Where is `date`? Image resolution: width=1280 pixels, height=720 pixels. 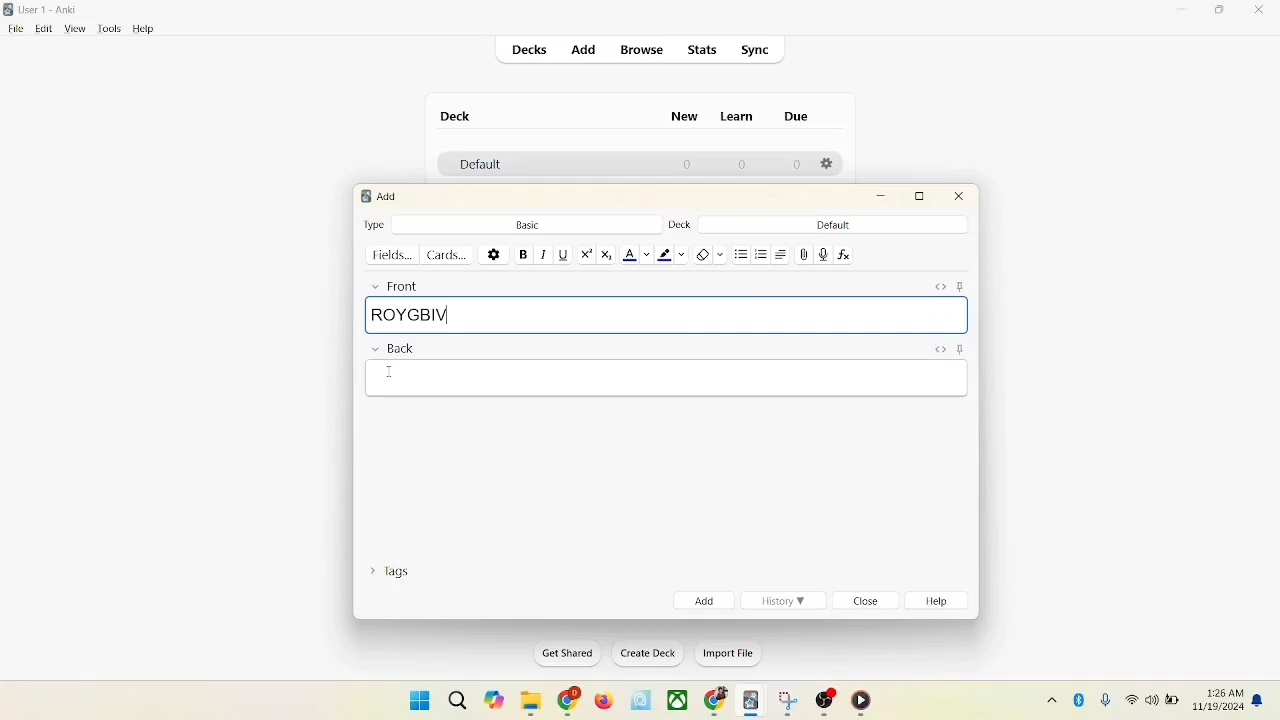
date is located at coordinates (1220, 708).